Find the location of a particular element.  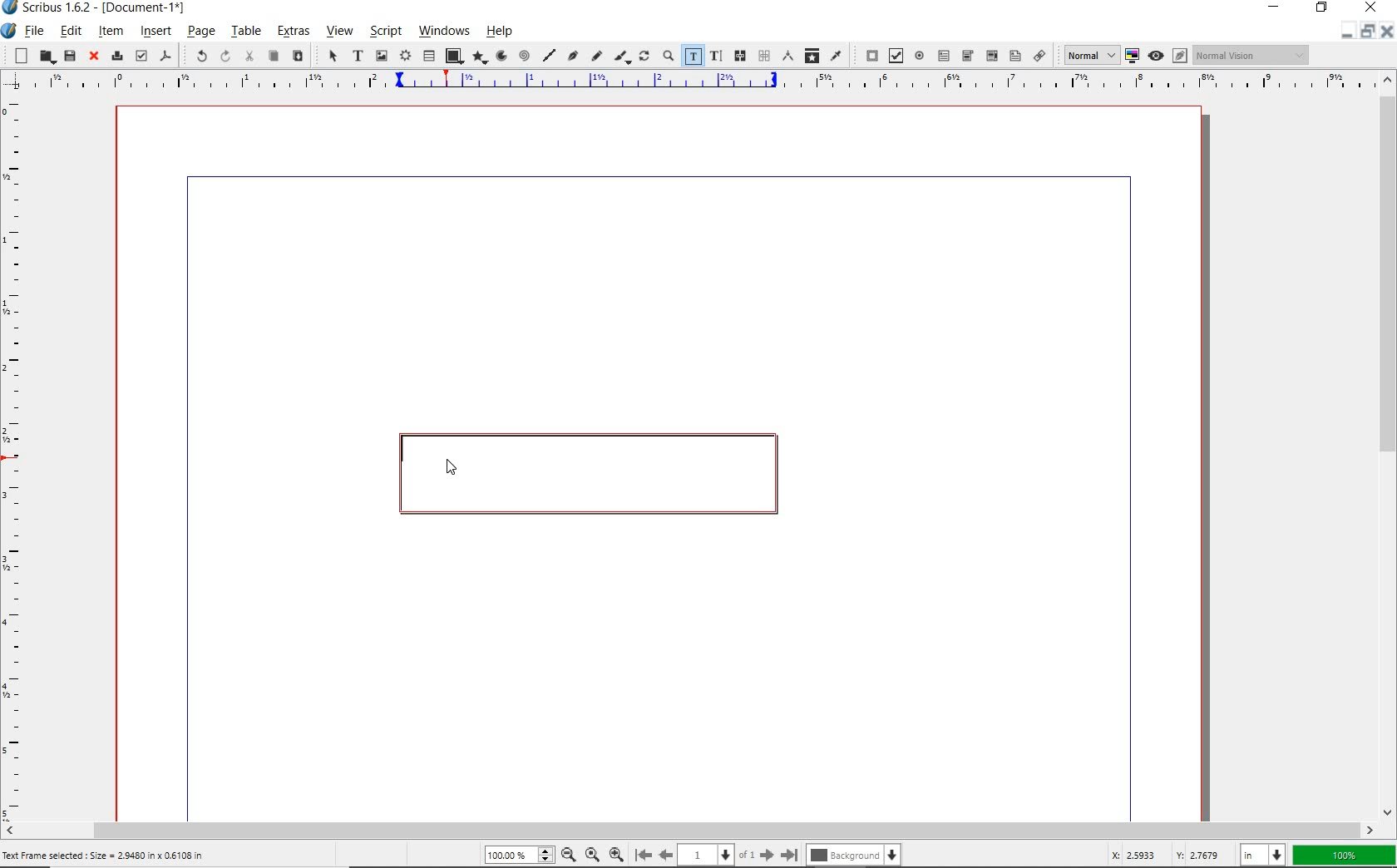

Zoom in is located at coordinates (616, 853).